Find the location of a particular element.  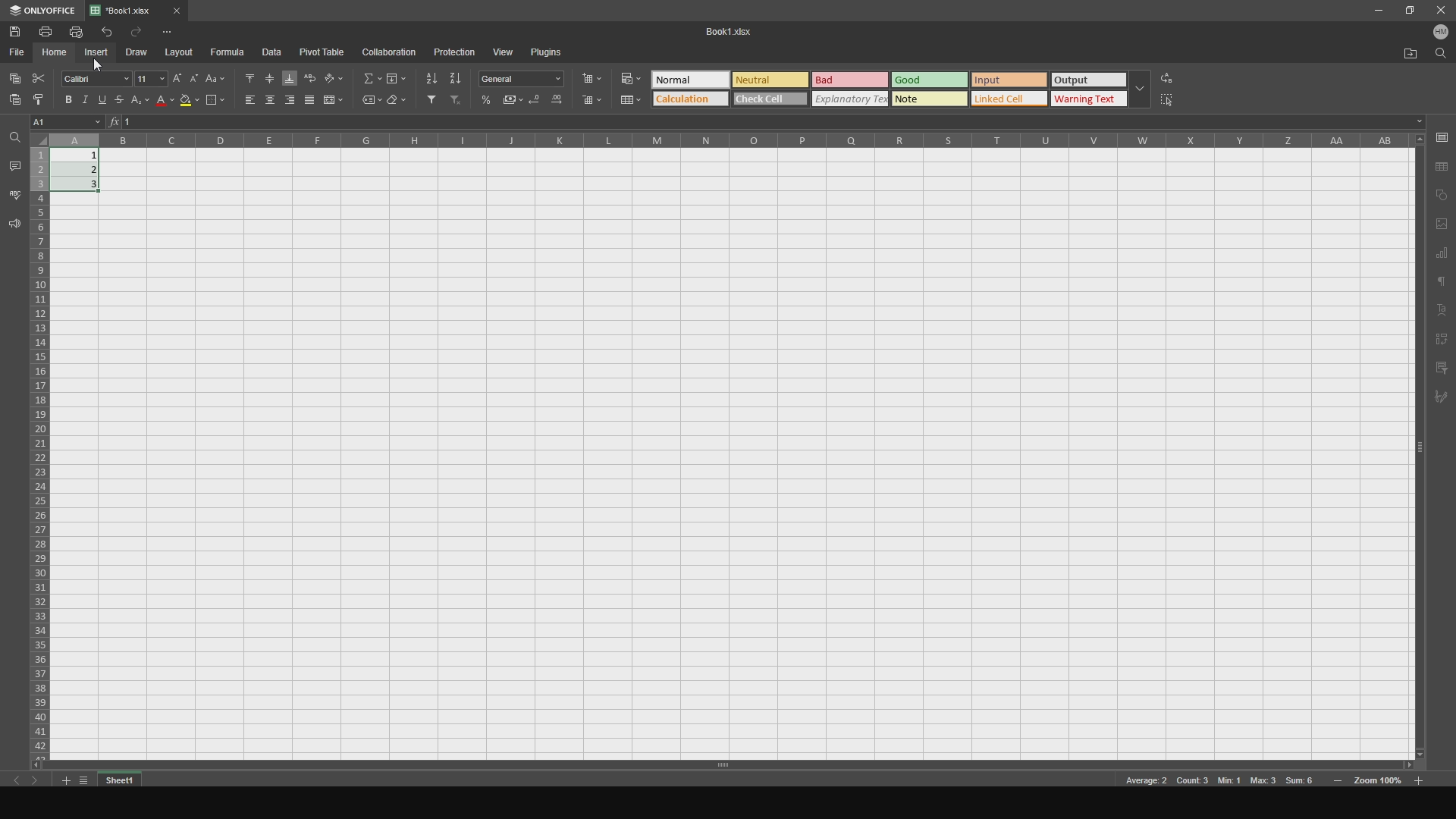

page is located at coordinates (1442, 224).